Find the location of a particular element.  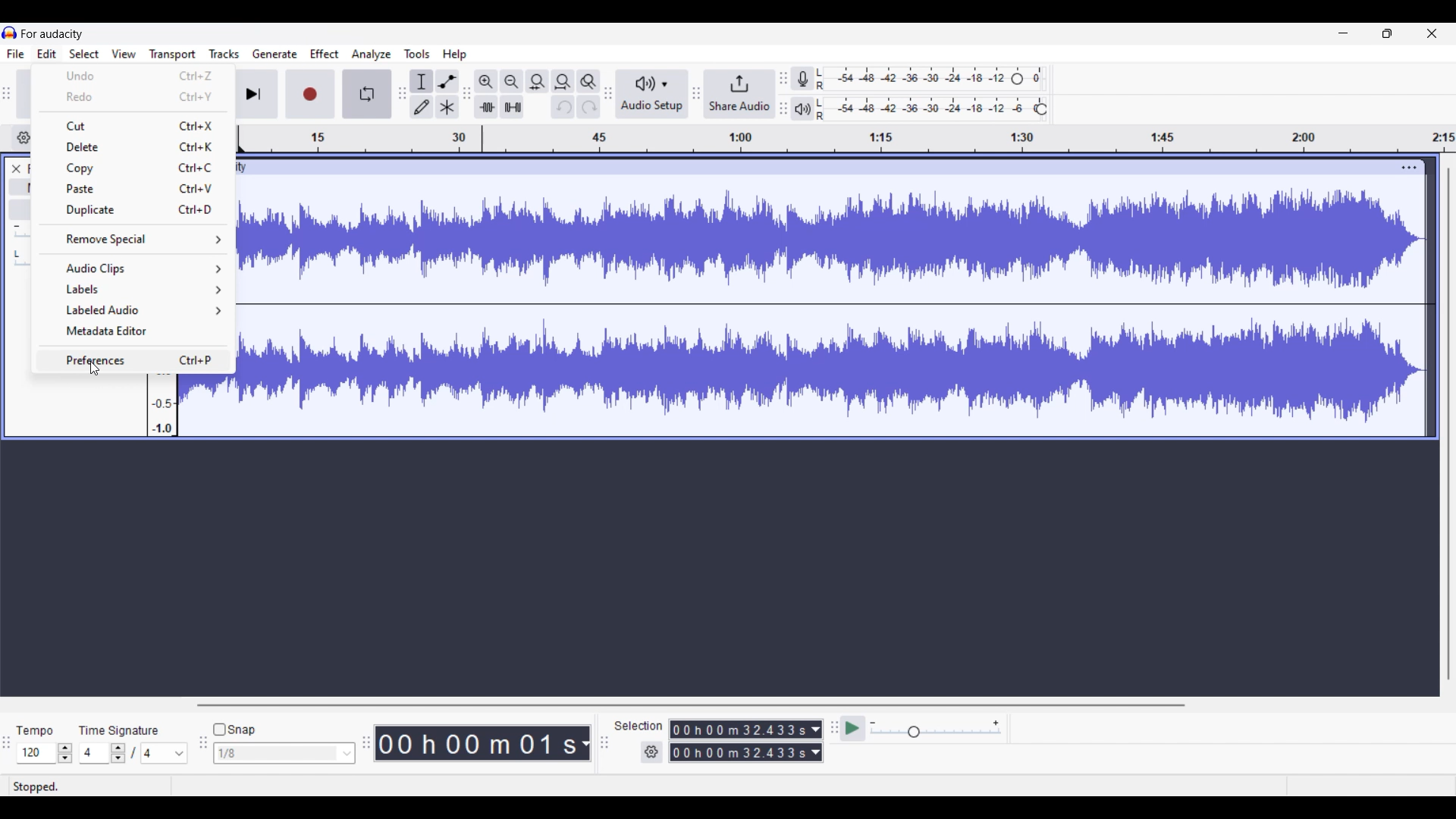

Snap toggle is located at coordinates (235, 730).